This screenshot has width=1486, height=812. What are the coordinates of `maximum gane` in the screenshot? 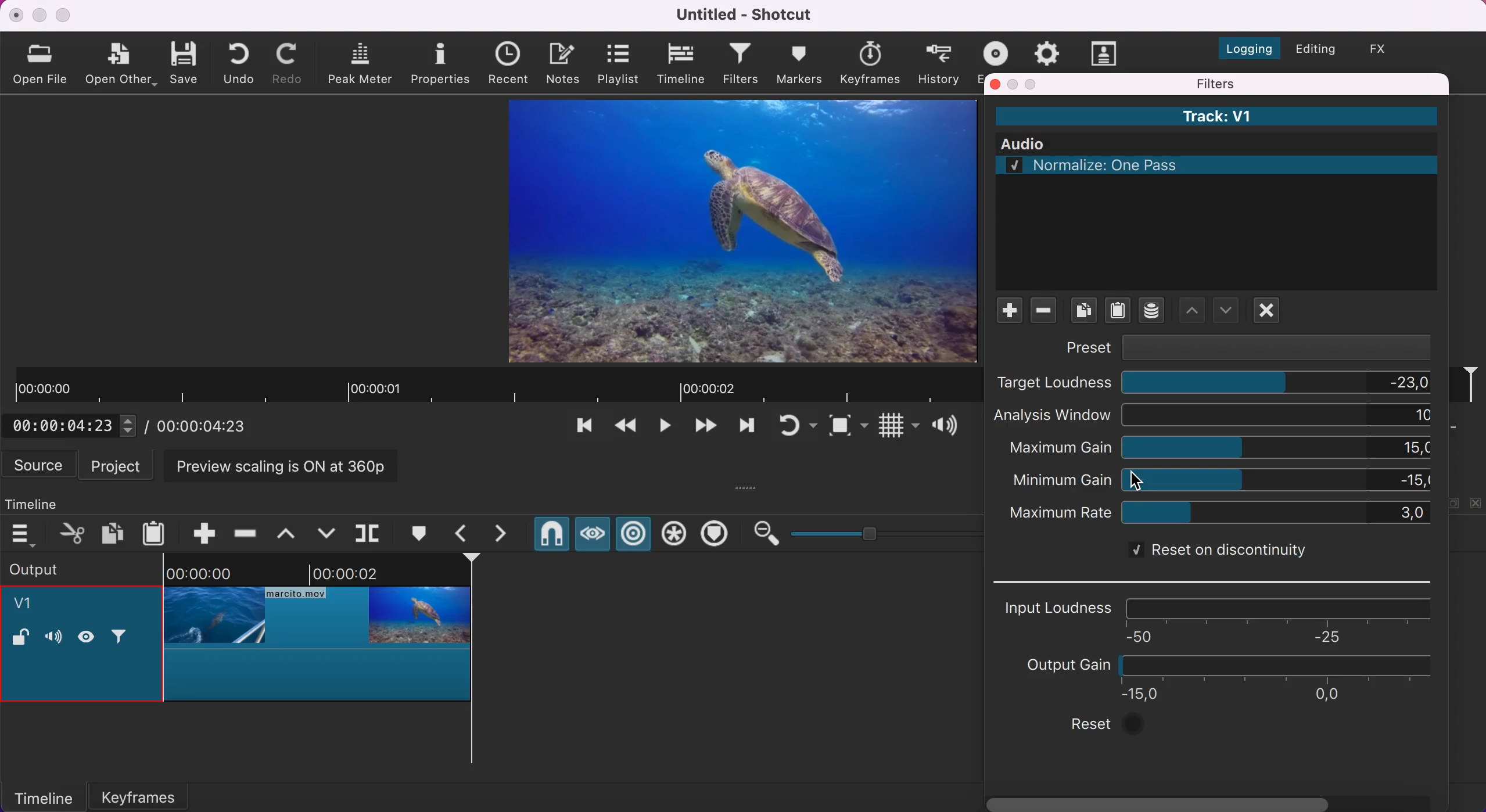 It's located at (1222, 448).